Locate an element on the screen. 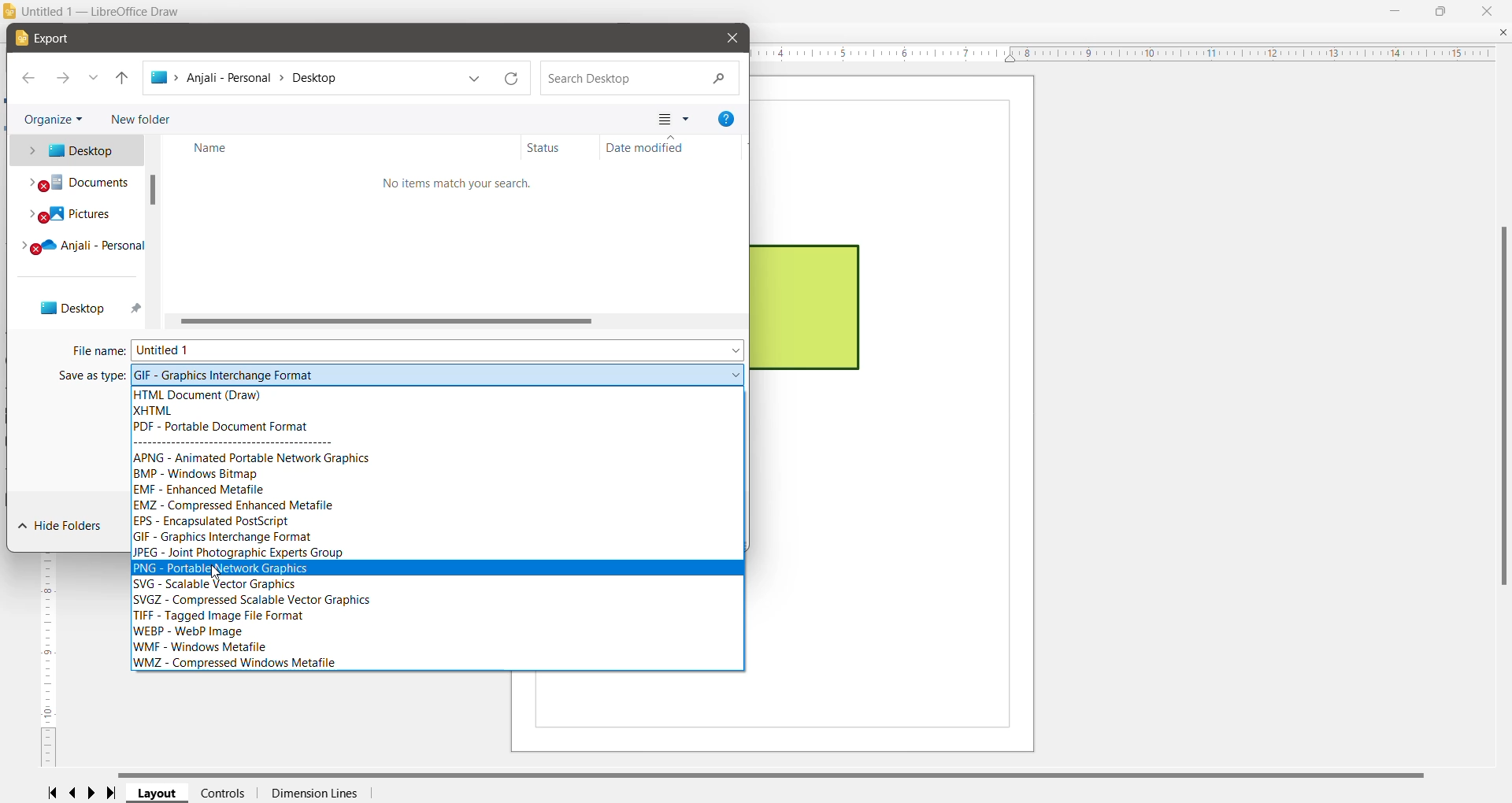 This screenshot has height=803, width=1512. Change your view is located at coordinates (672, 120).